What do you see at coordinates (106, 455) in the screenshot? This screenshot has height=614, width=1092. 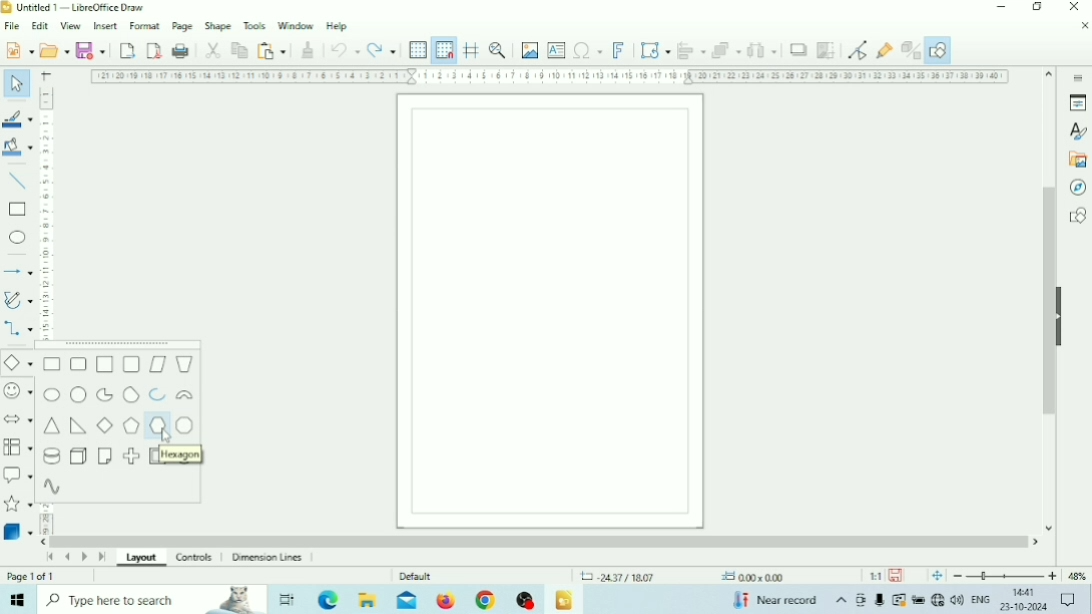 I see `Folded Corner` at bounding box center [106, 455].